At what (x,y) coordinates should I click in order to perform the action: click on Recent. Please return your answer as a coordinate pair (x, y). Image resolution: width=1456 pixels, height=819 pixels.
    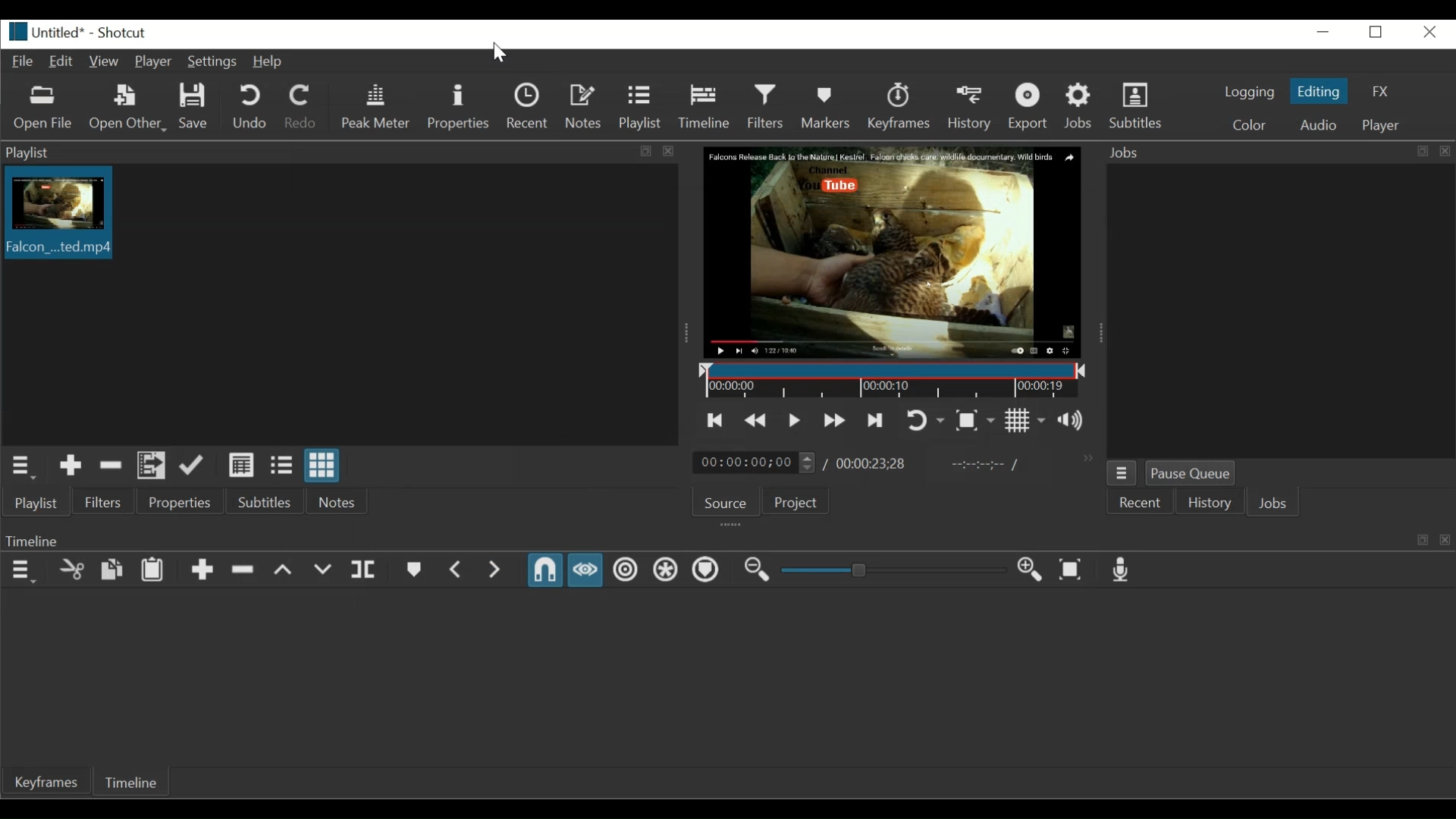
    Looking at the image, I should click on (531, 107).